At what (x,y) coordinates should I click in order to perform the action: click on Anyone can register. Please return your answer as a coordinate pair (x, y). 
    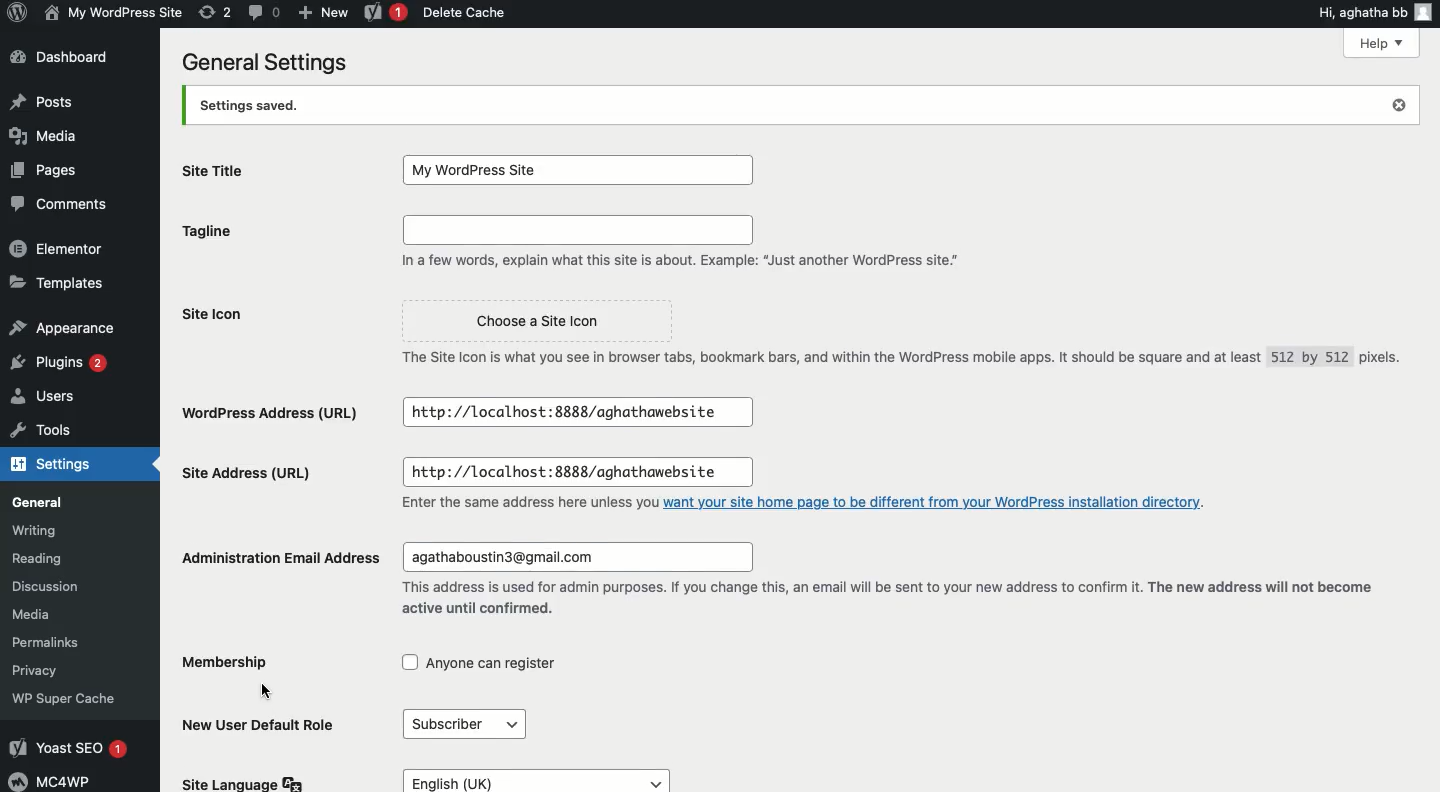
    Looking at the image, I should click on (478, 662).